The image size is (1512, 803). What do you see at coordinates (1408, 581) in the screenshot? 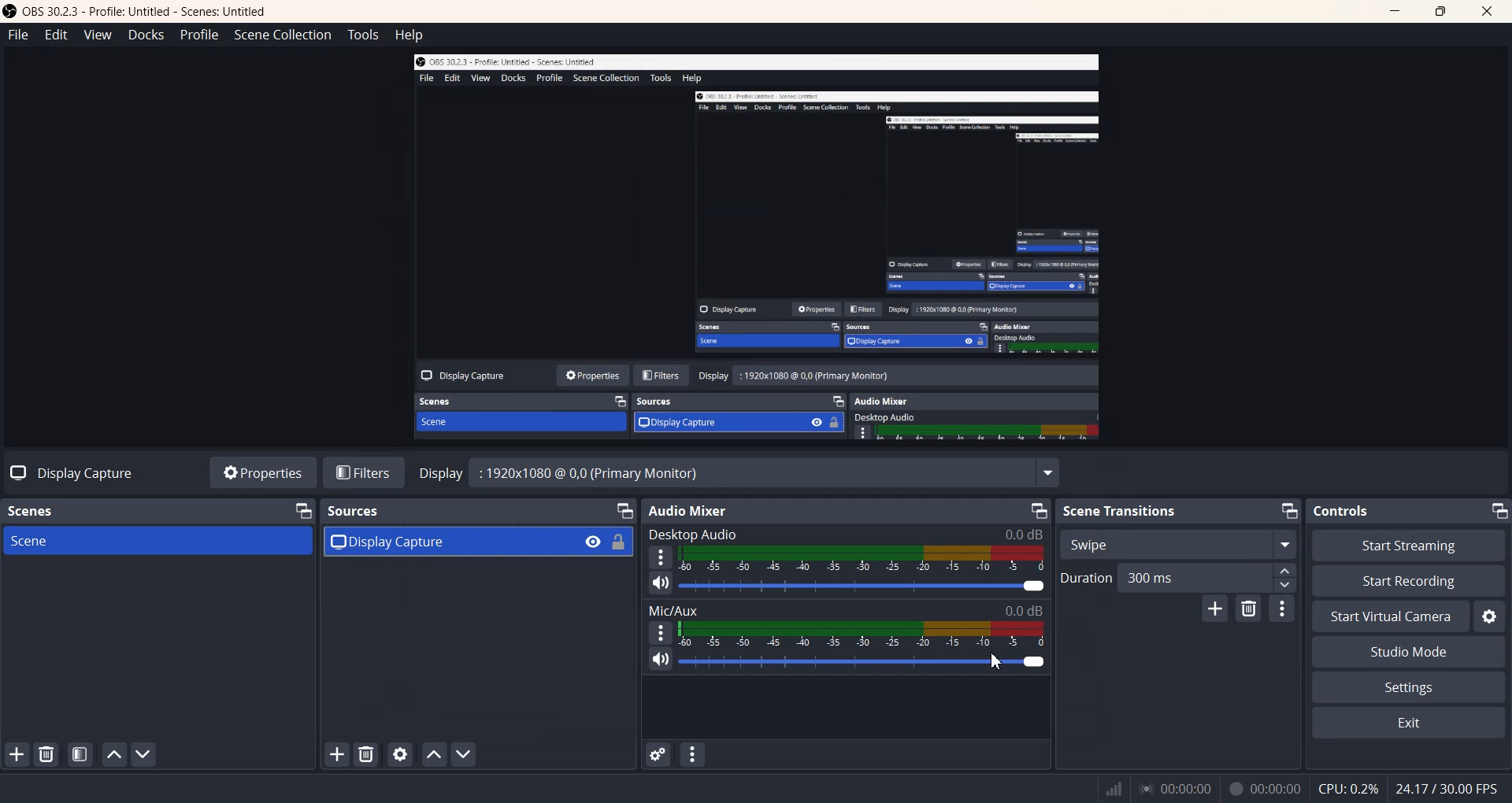
I see `Start Recording` at bounding box center [1408, 581].